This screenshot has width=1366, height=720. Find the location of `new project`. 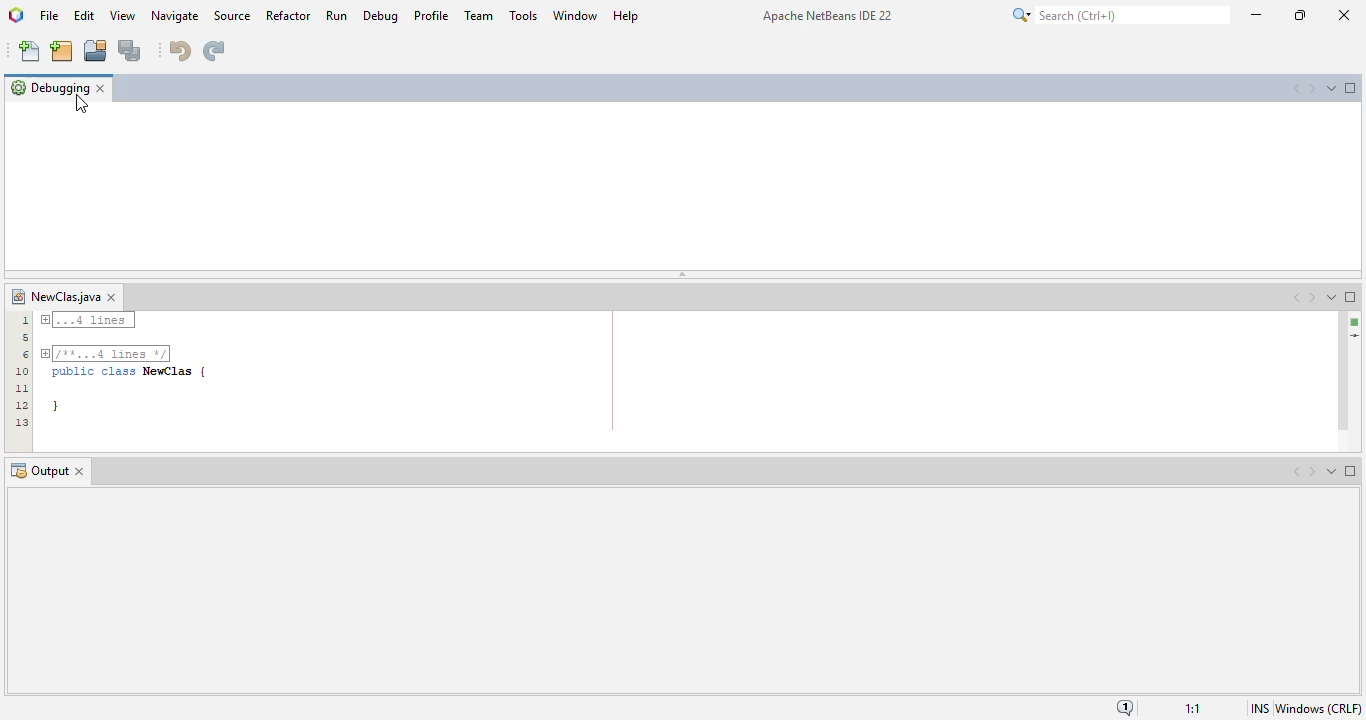

new project is located at coordinates (62, 51).